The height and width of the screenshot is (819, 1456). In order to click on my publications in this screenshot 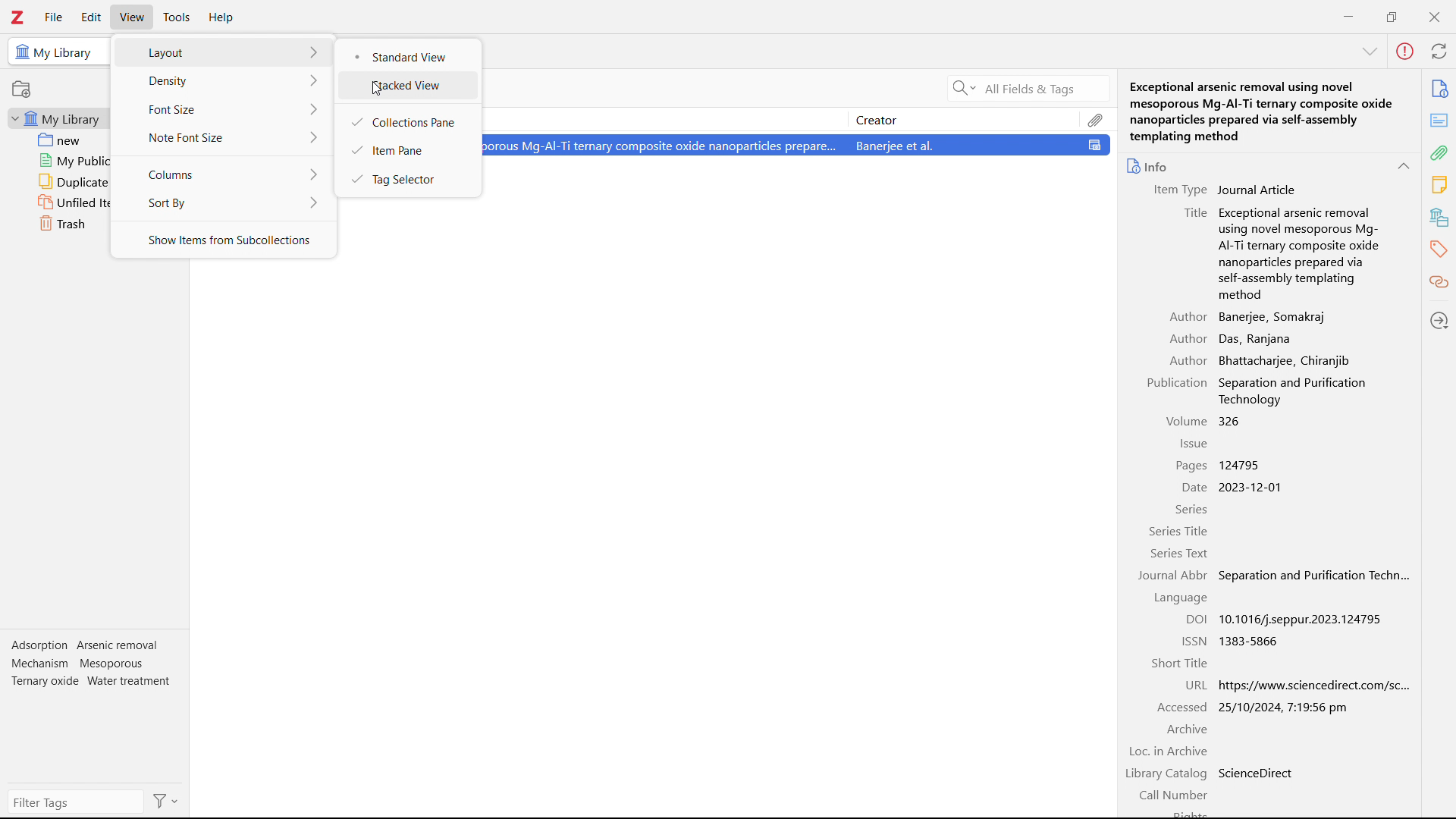, I will do `click(57, 161)`.